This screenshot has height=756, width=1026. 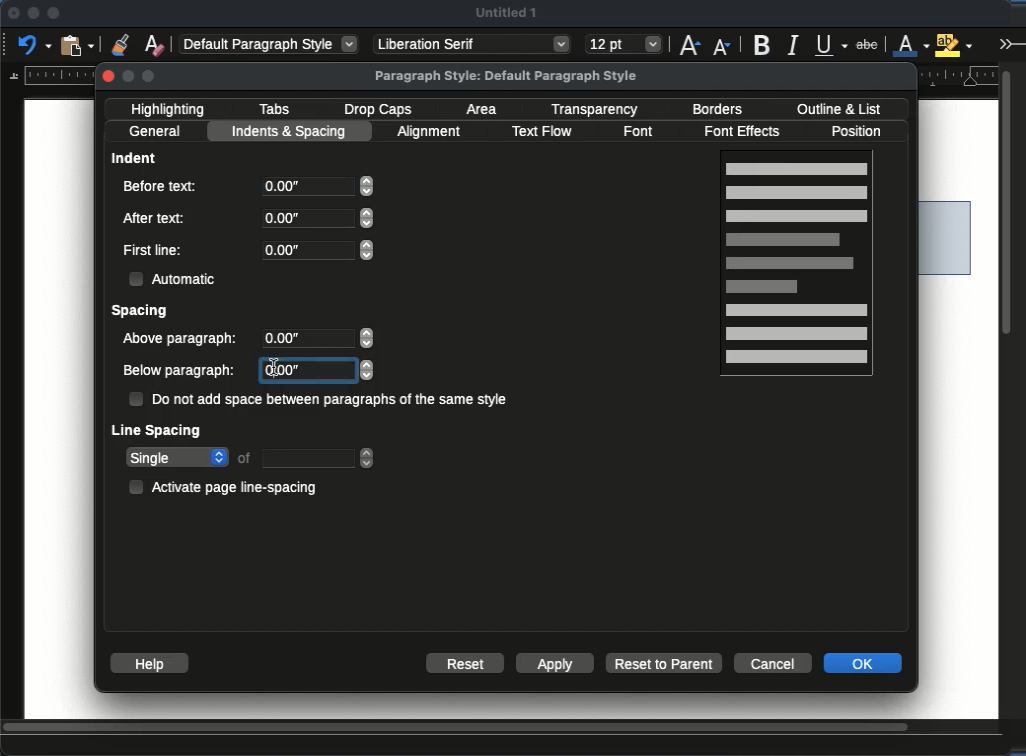 I want to click on highlighting, so click(x=171, y=109).